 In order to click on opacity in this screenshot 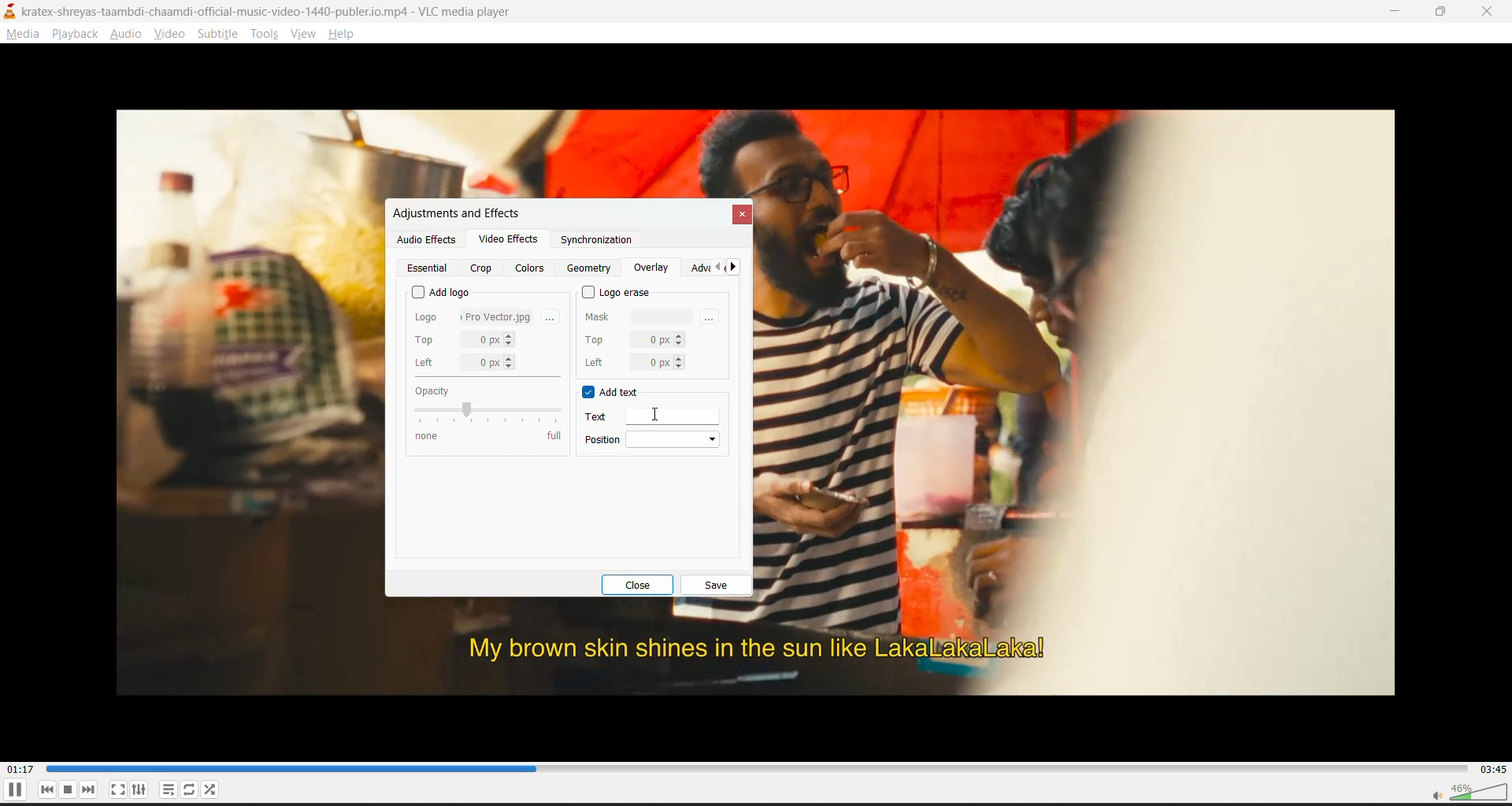, I will do `click(486, 412)`.